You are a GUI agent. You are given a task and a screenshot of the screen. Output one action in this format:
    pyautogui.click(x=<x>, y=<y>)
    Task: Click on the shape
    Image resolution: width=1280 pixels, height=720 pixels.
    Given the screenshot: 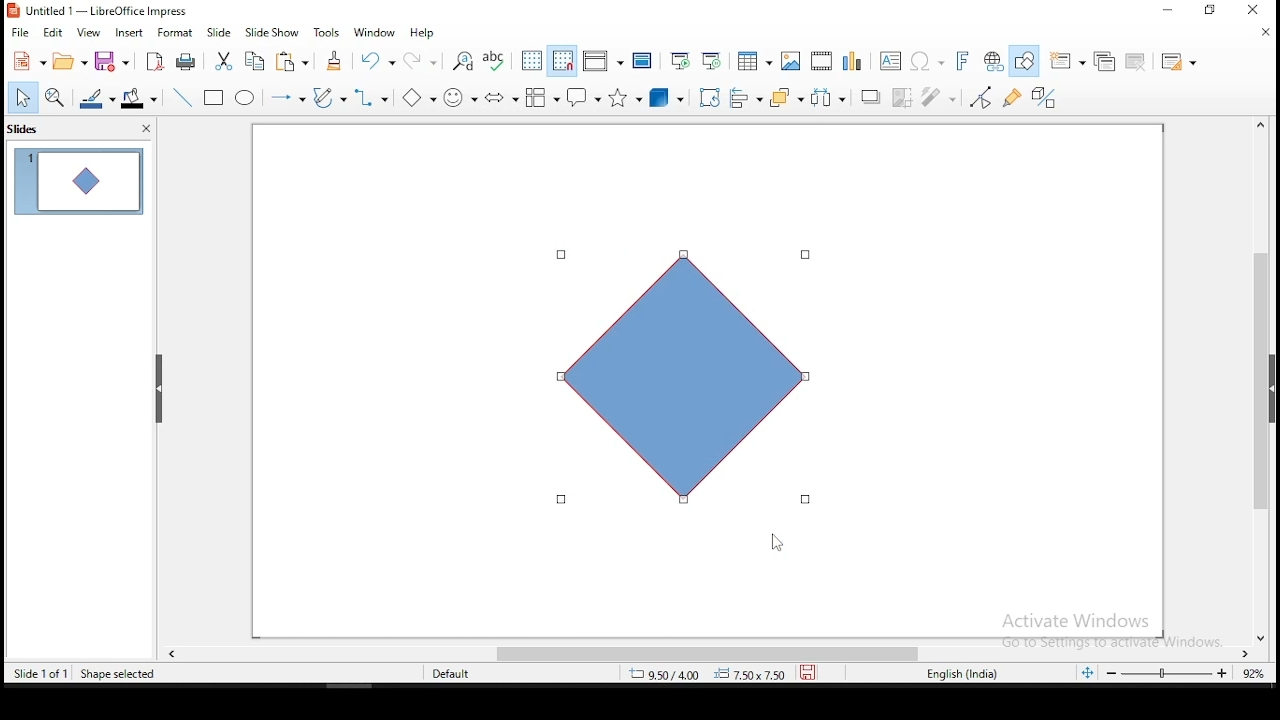 What is the action you would take?
    pyautogui.click(x=693, y=378)
    